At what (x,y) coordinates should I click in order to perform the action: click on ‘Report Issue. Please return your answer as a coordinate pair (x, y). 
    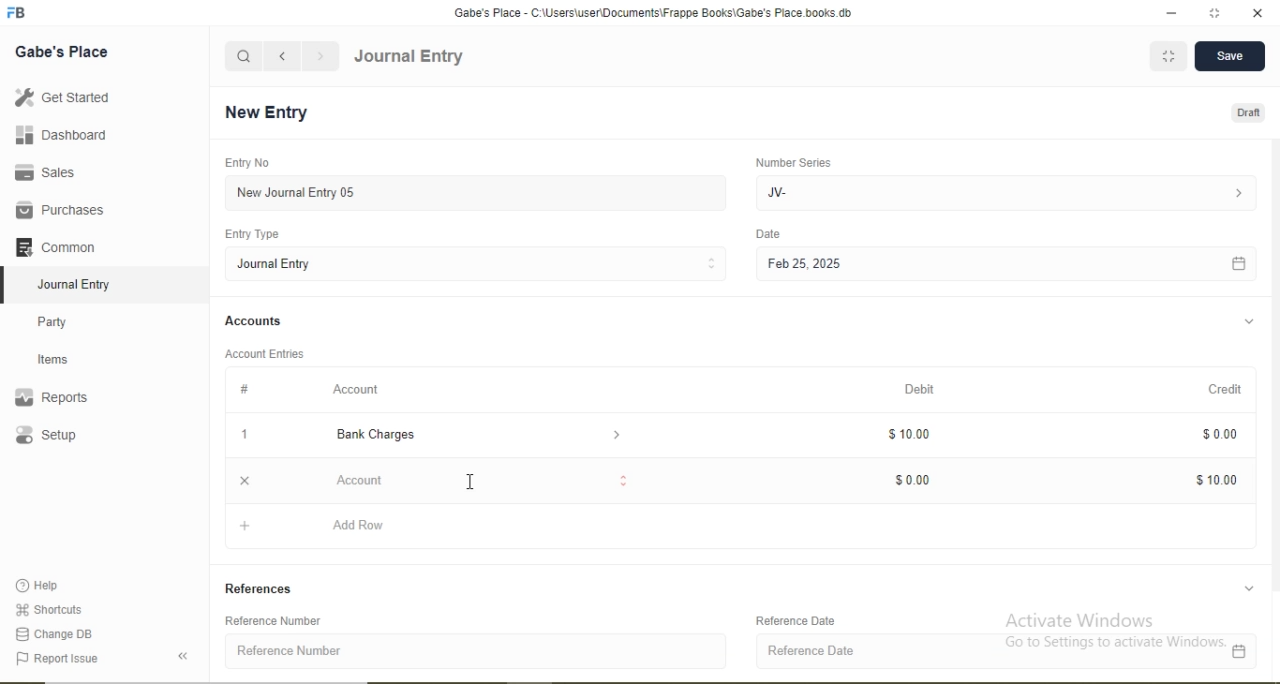
    Looking at the image, I should click on (78, 659).